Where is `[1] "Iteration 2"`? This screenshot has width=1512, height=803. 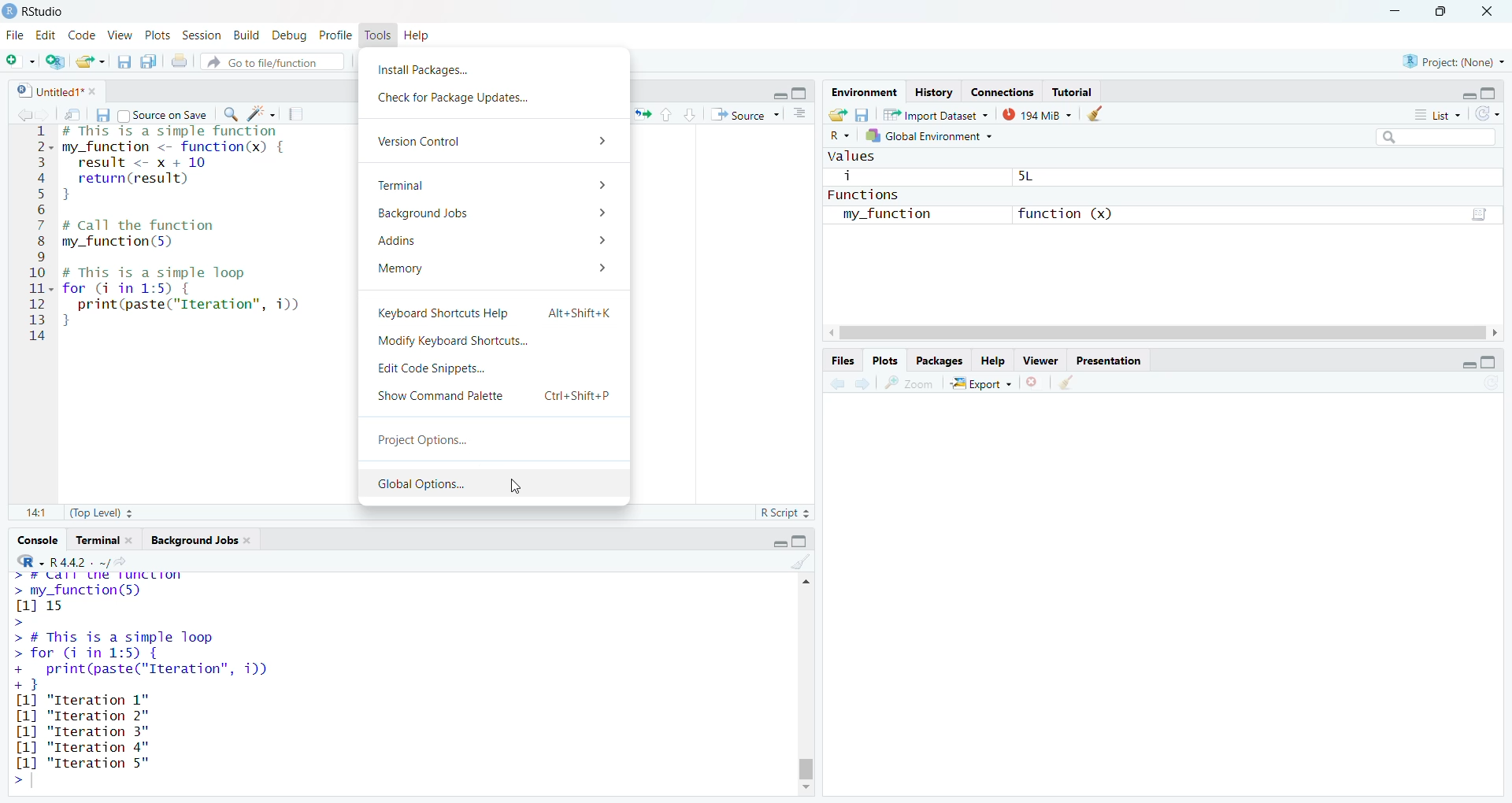 [1] "Iteration 2" is located at coordinates (86, 716).